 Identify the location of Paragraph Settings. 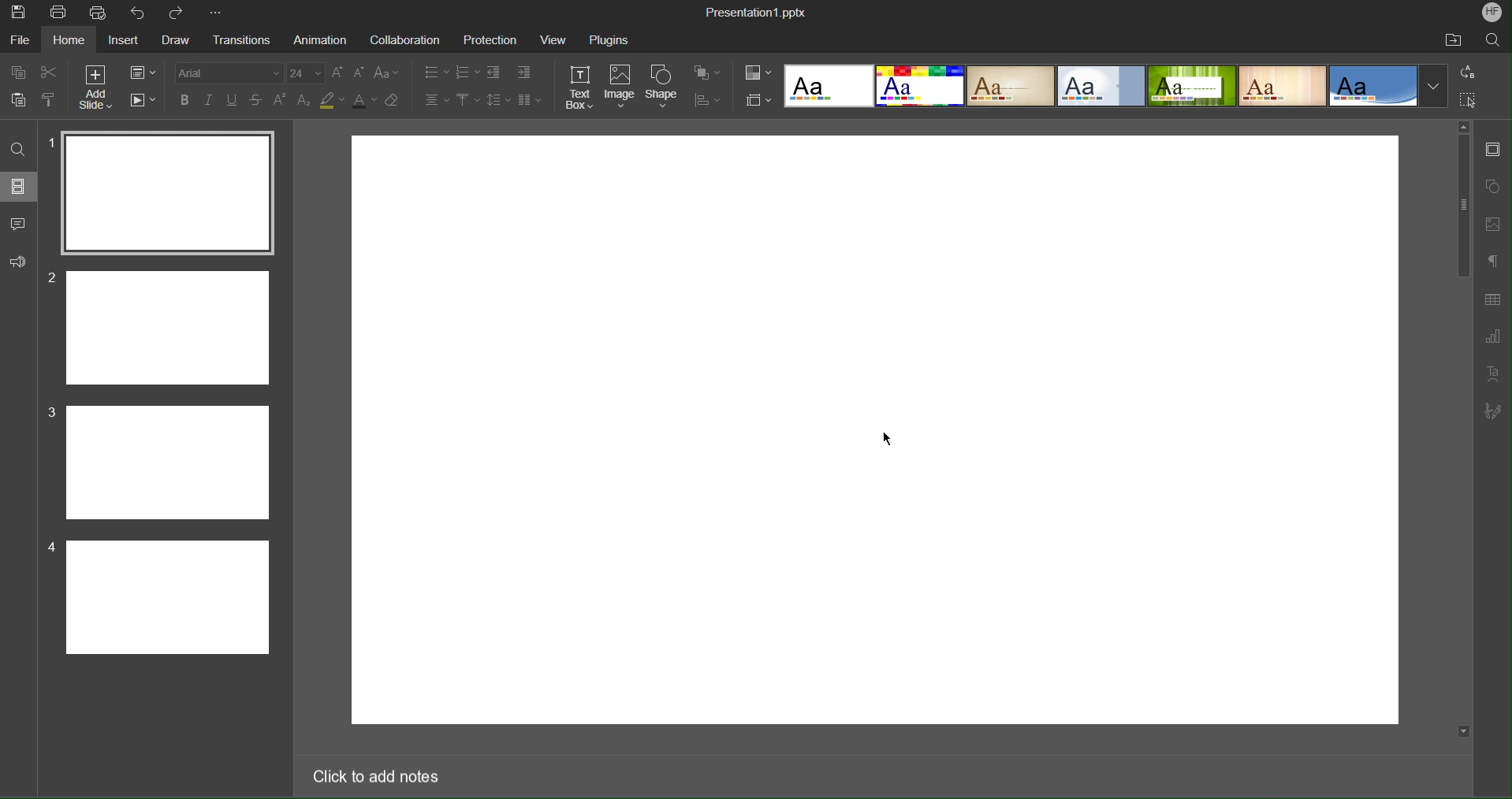
(1491, 262).